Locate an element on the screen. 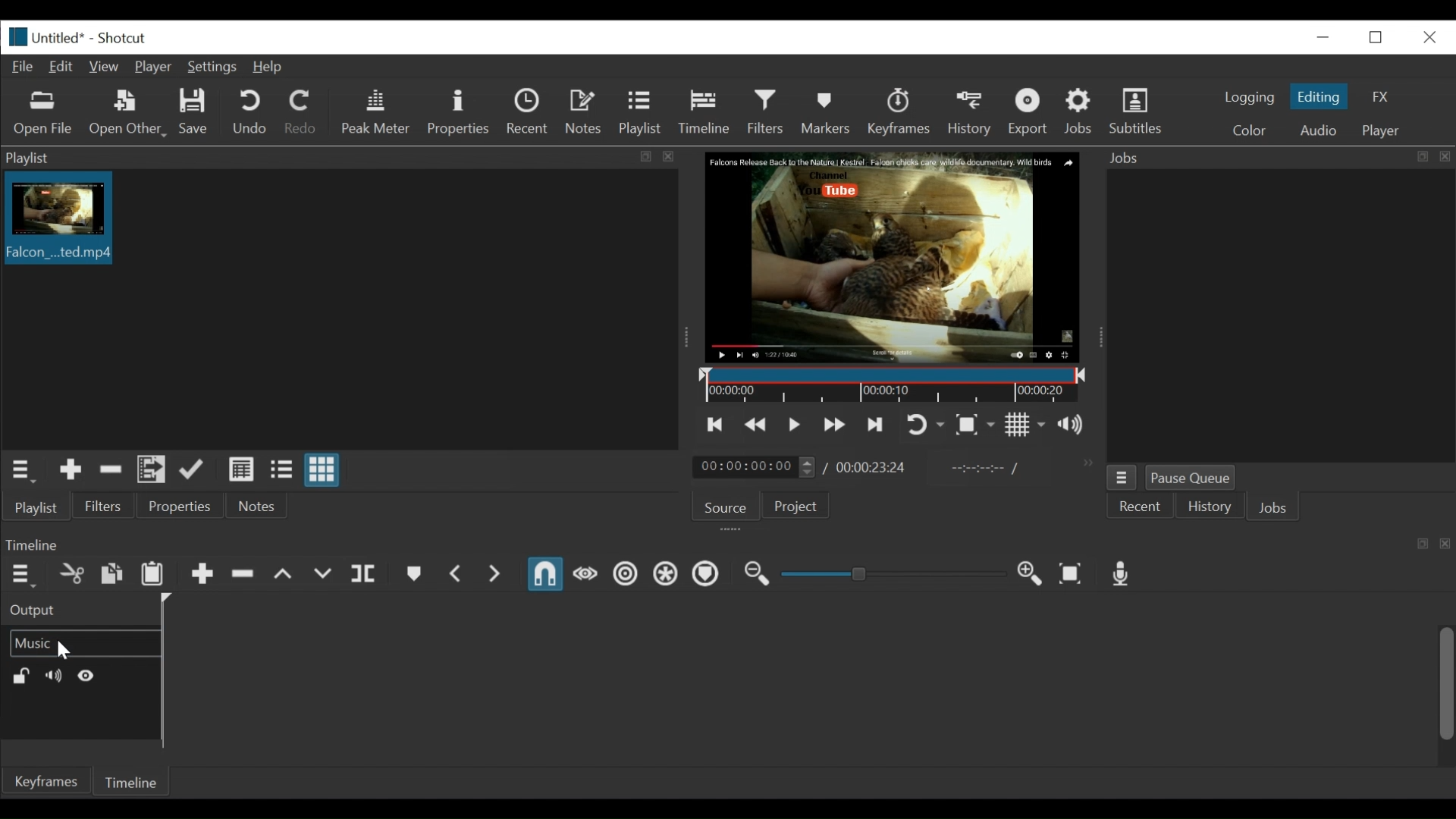 The image size is (1456, 819). Output is located at coordinates (71, 610).